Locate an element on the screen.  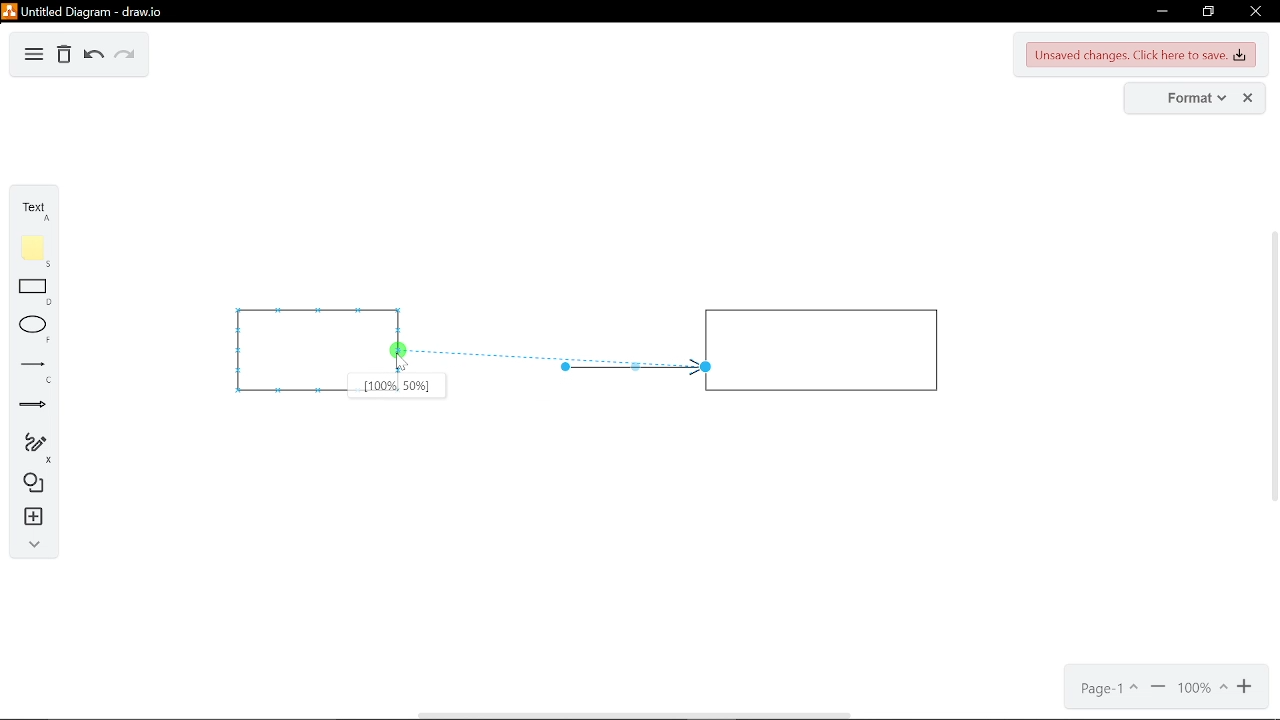
close is located at coordinates (1248, 98).